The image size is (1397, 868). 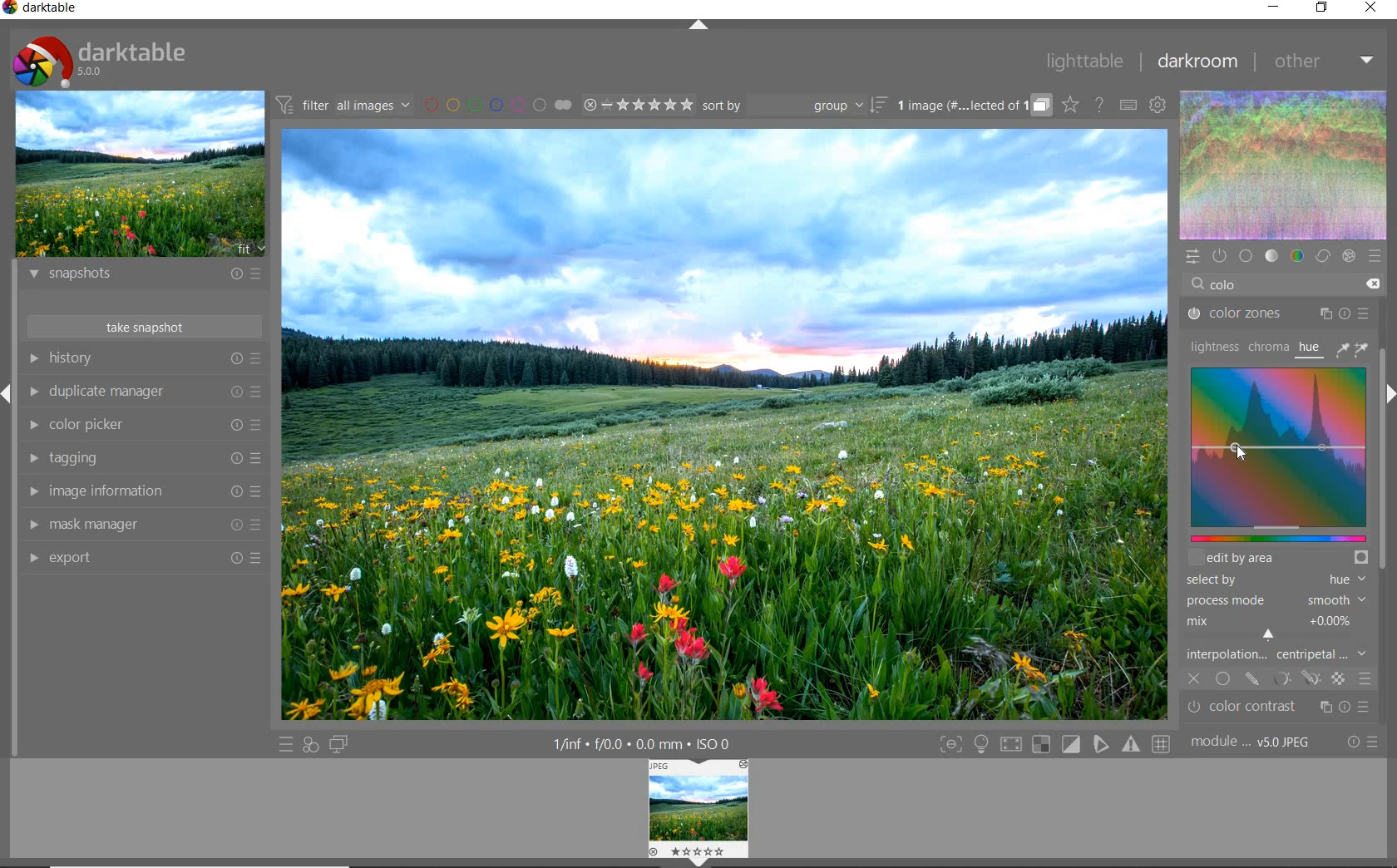 What do you see at coordinates (1199, 62) in the screenshot?
I see `darkroom` at bounding box center [1199, 62].